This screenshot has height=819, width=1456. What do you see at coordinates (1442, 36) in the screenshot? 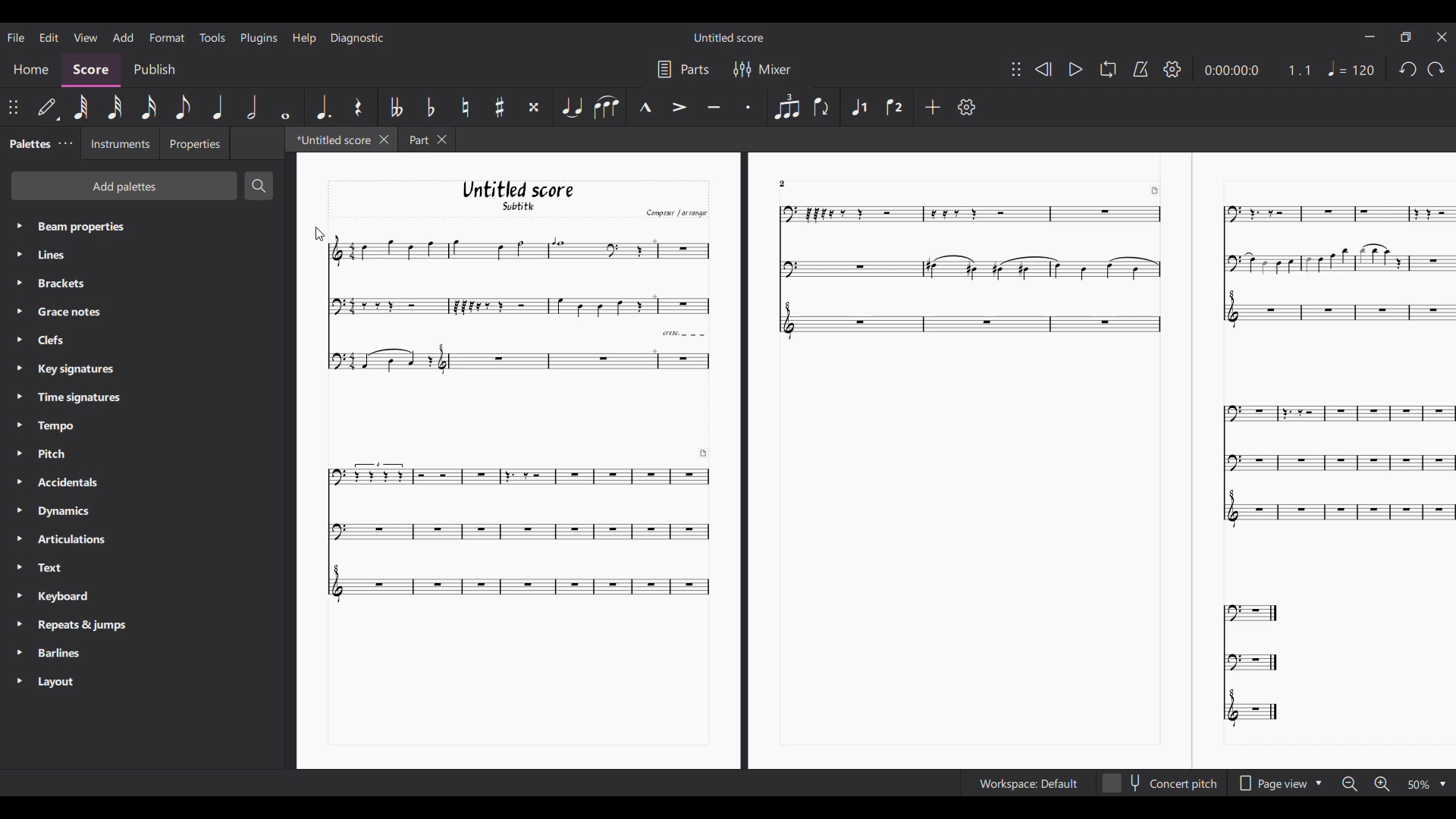
I see `Close ` at bounding box center [1442, 36].